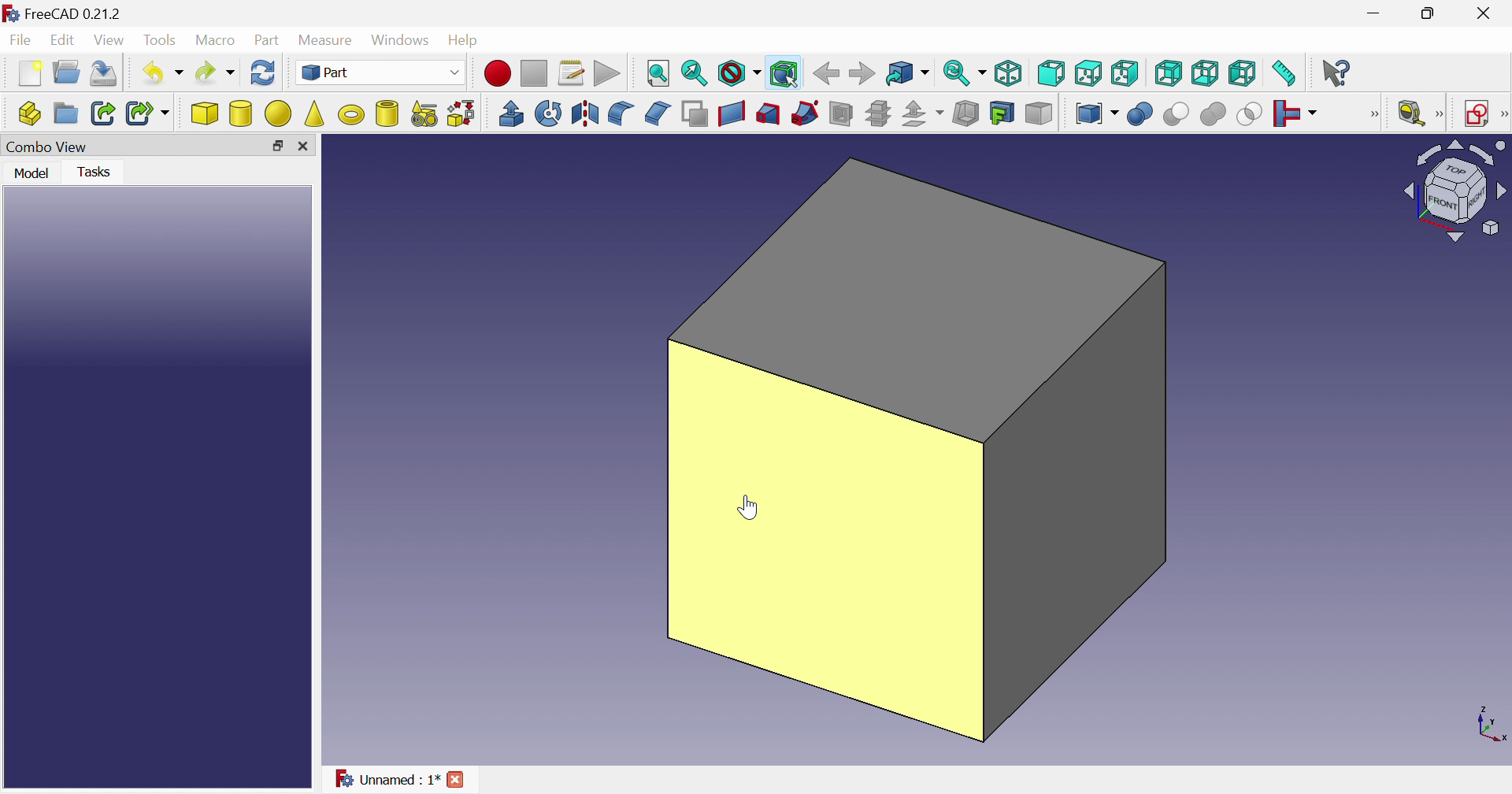 This screenshot has width=1512, height=794. What do you see at coordinates (458, 778) in the screenshot?
I see `Close` at bounding box center [458, 778].